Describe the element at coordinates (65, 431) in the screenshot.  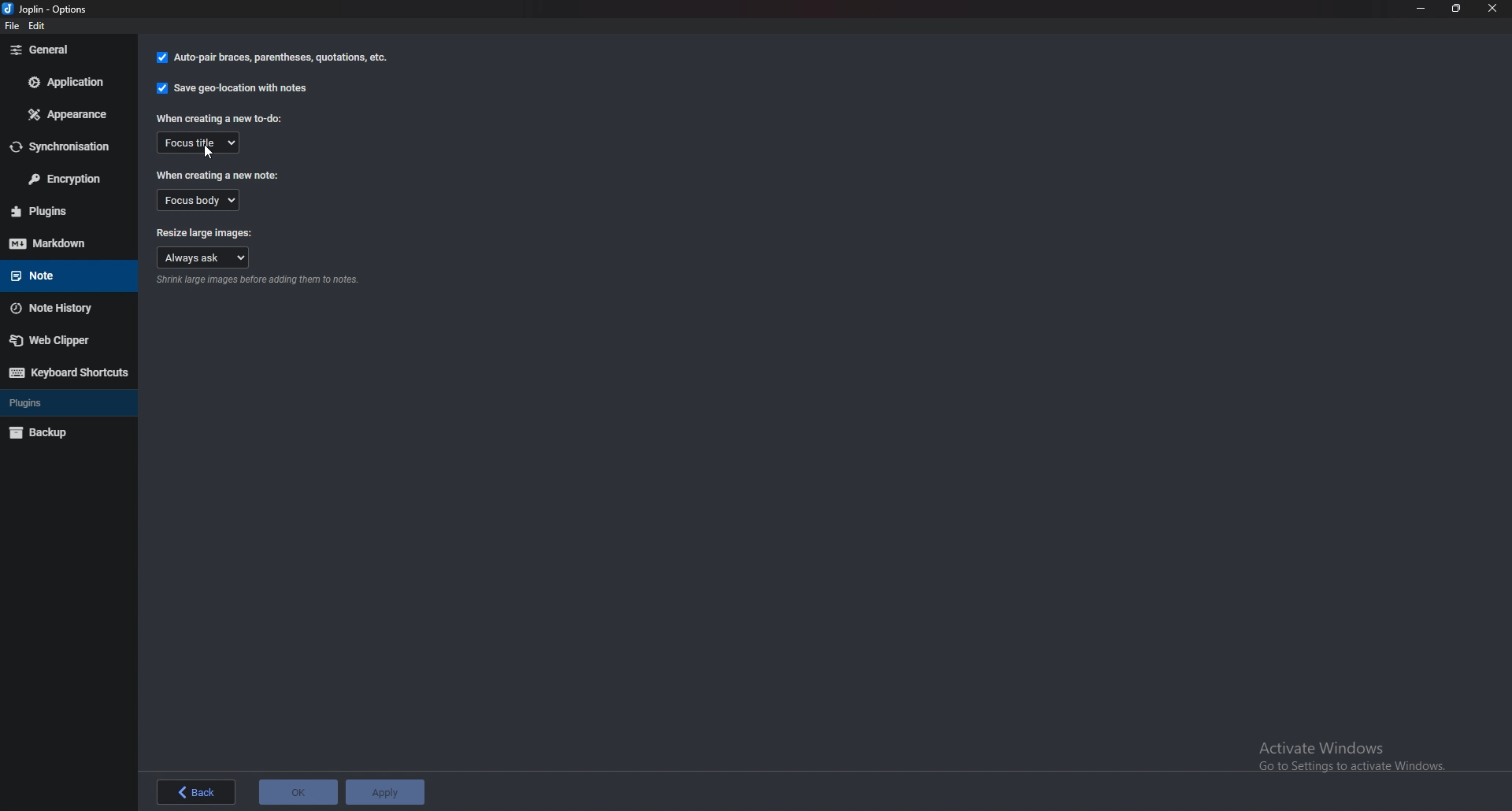
I see `Back up` at that location.